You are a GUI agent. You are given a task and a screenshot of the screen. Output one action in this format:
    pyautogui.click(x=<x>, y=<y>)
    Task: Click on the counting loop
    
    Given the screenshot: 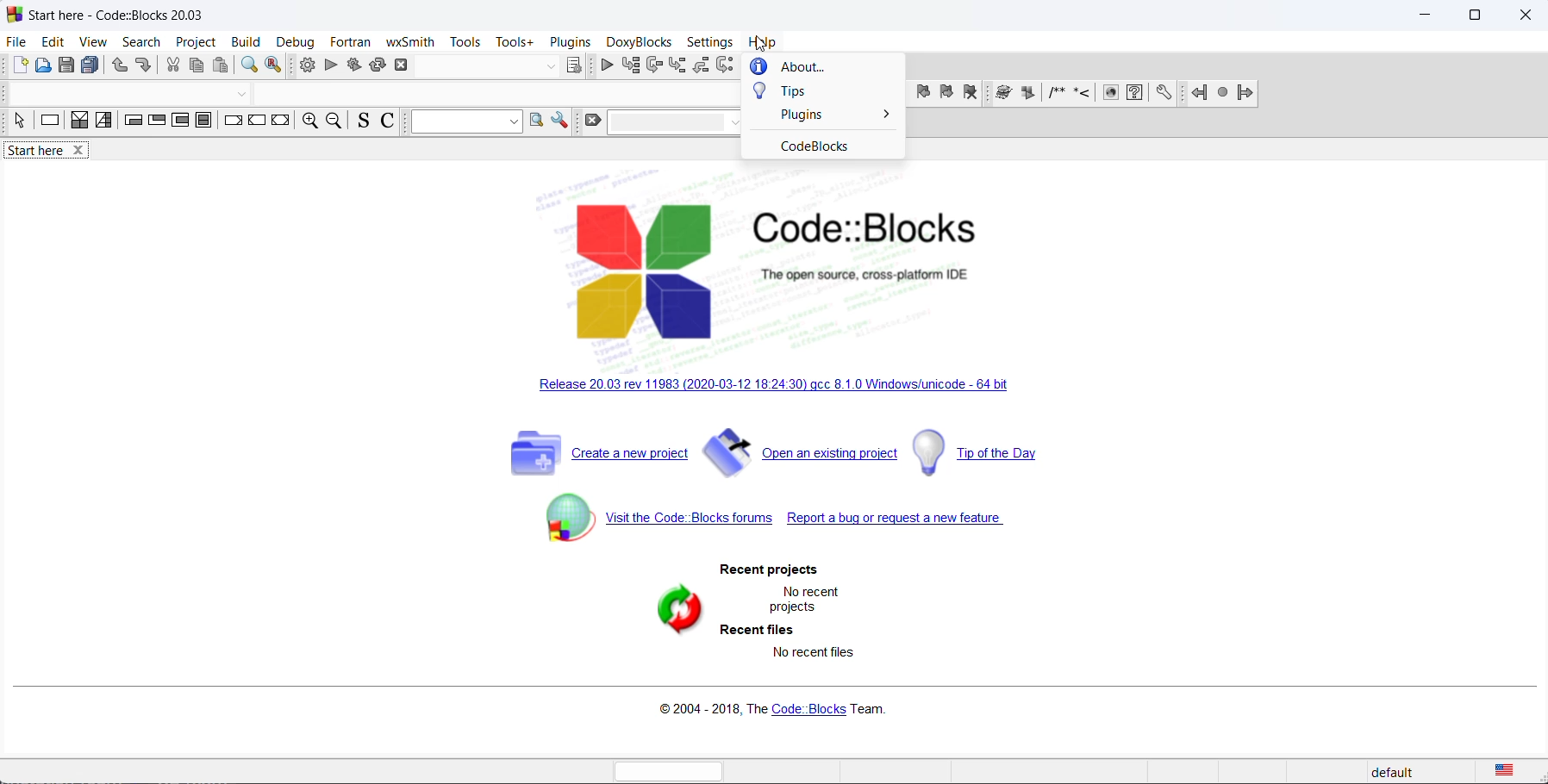 What is the action you would take?
    pyautogui.click(x=180, y=124)
    